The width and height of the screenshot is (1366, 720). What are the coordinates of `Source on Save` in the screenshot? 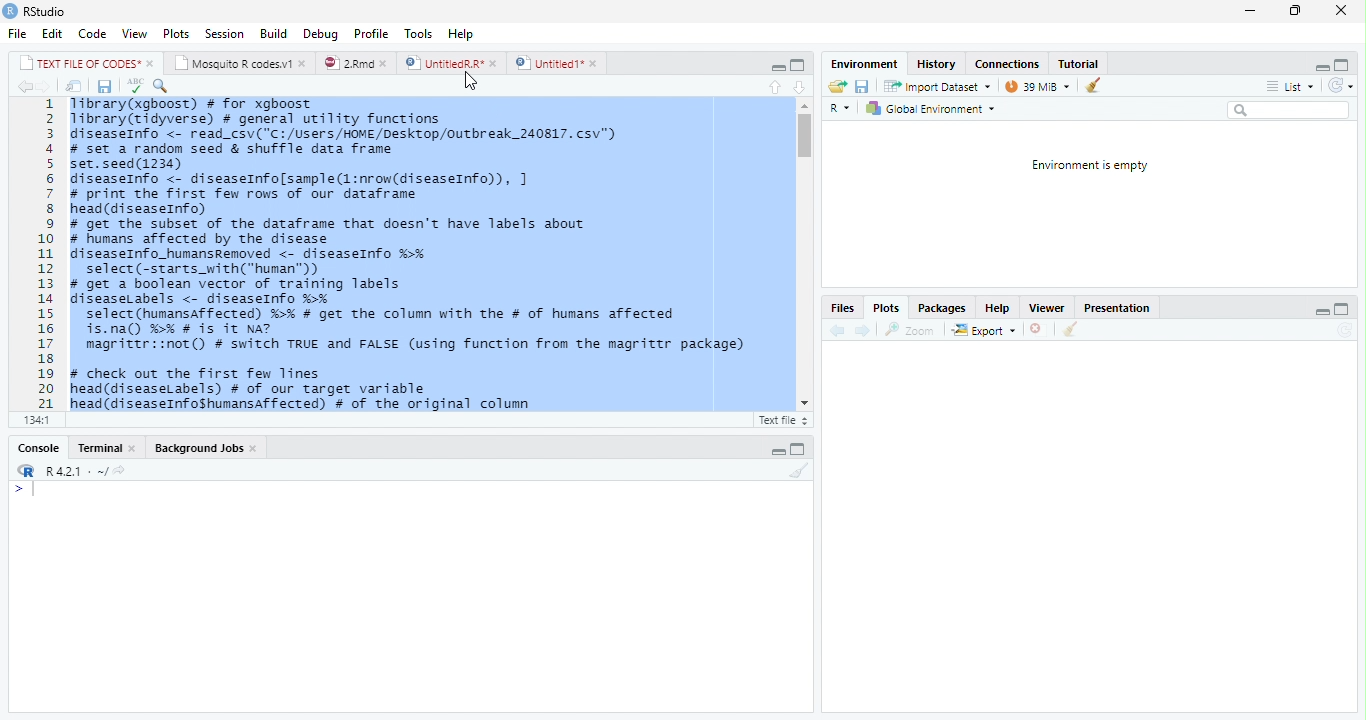 It's located at (164, 87).